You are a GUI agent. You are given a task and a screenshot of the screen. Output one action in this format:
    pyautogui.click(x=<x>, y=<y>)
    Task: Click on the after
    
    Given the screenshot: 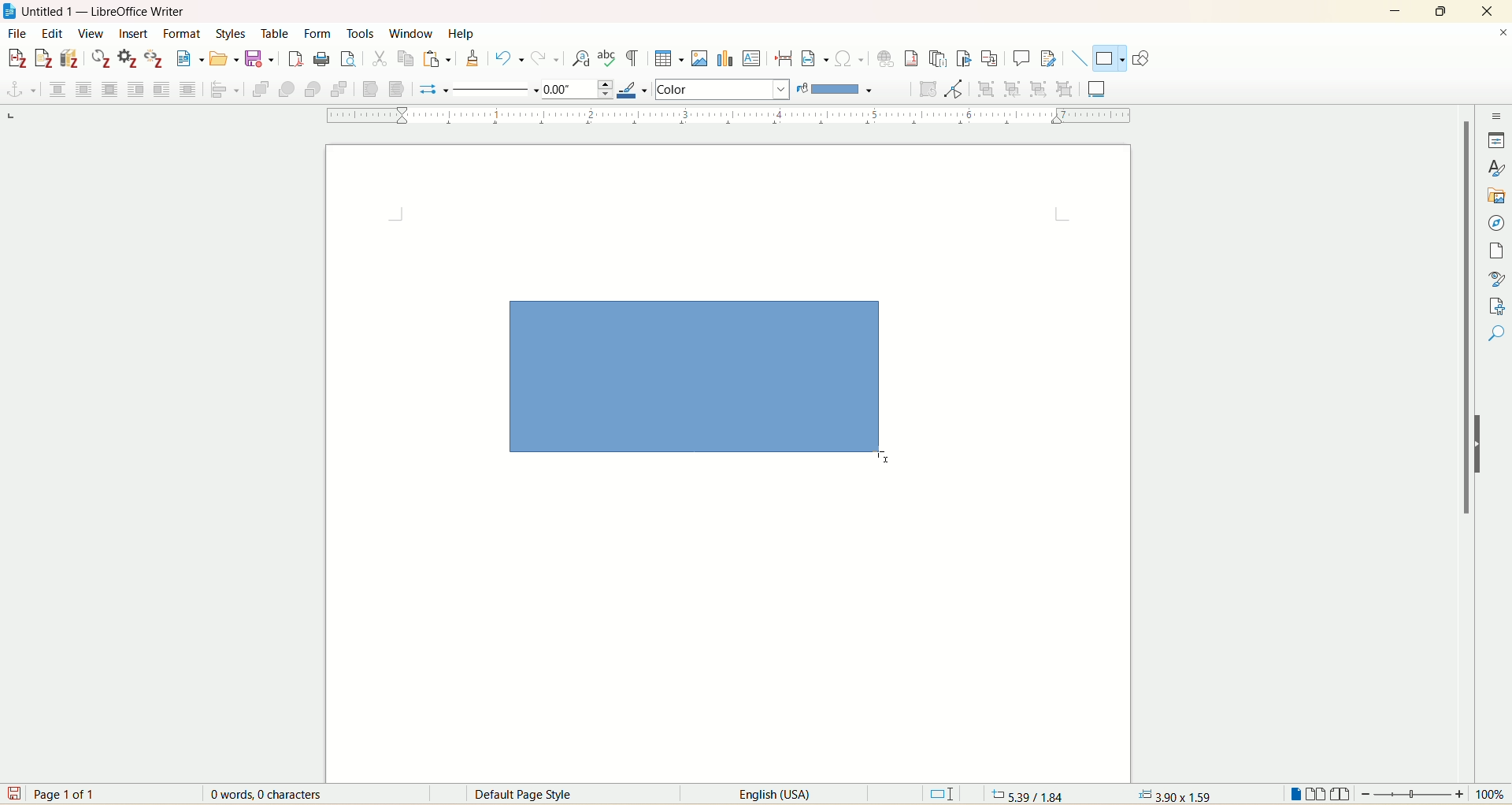 What is the action you would take?
    pyautogui.click(x=161, y=88)
    